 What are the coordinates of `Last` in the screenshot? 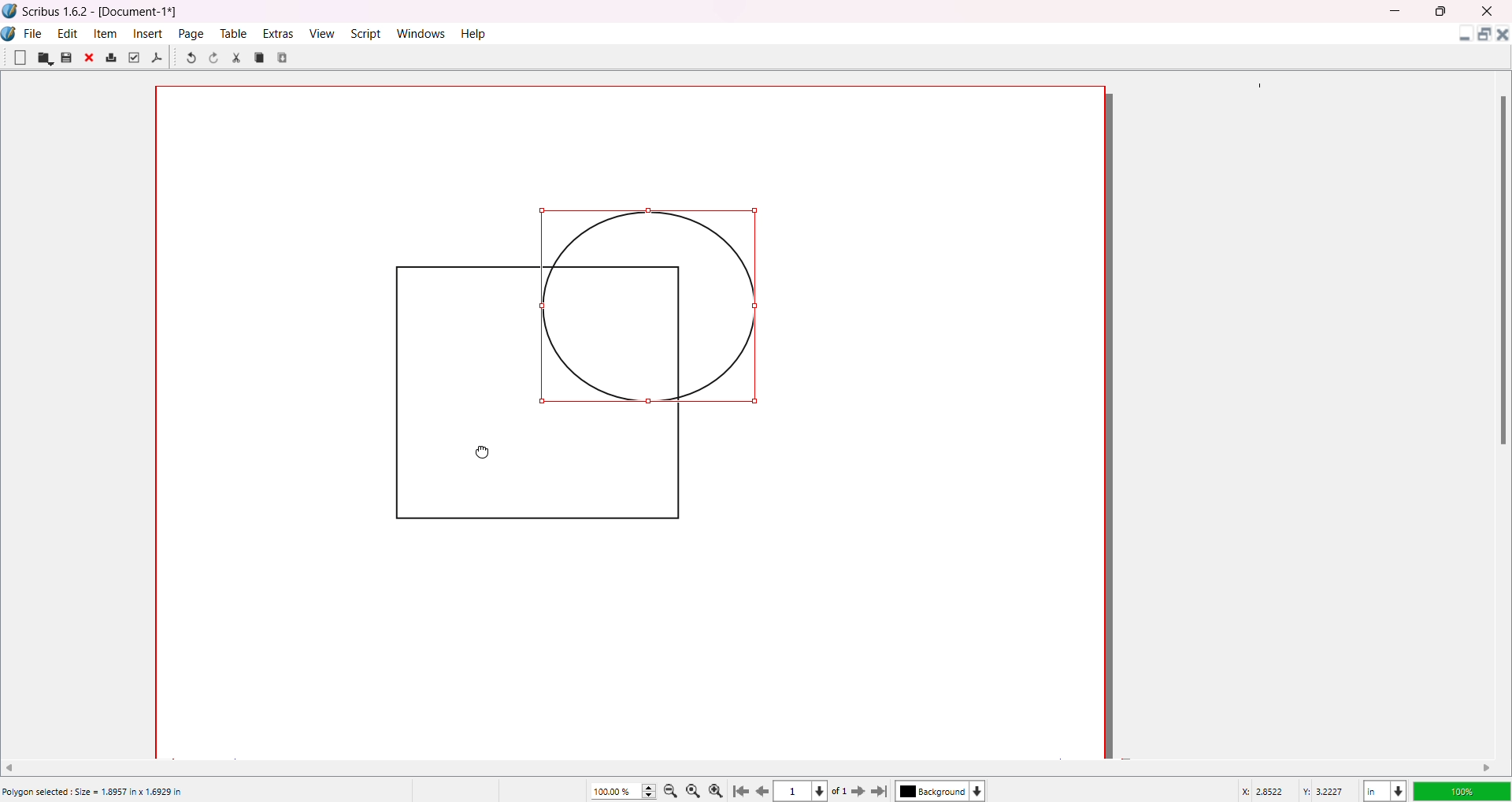 It's located at (881, 790).